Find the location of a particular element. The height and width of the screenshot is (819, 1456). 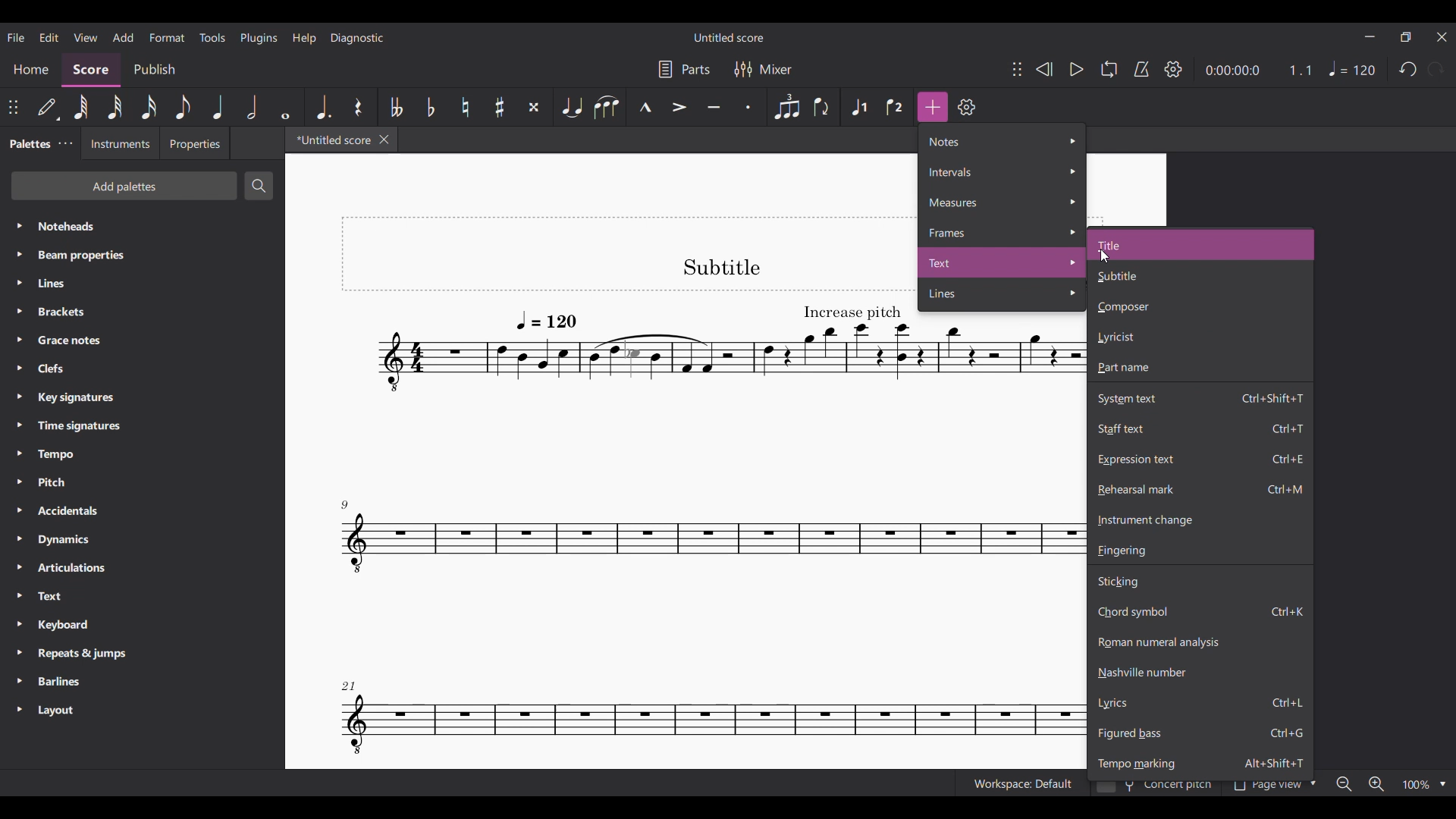

Toggle double flat is located at coordinates (394, 106).